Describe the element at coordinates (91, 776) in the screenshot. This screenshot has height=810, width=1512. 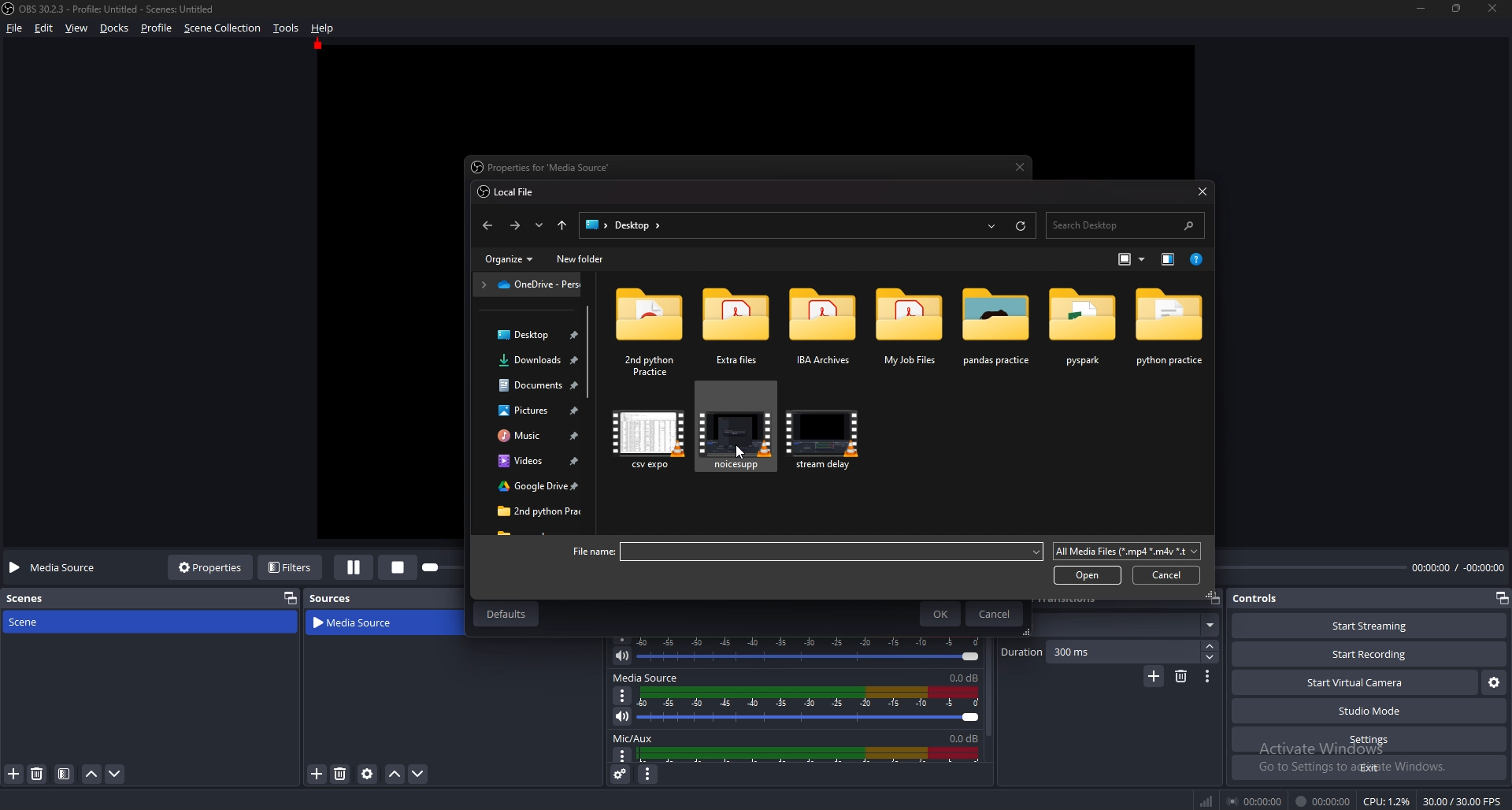
I see `Move scene up` at that location.